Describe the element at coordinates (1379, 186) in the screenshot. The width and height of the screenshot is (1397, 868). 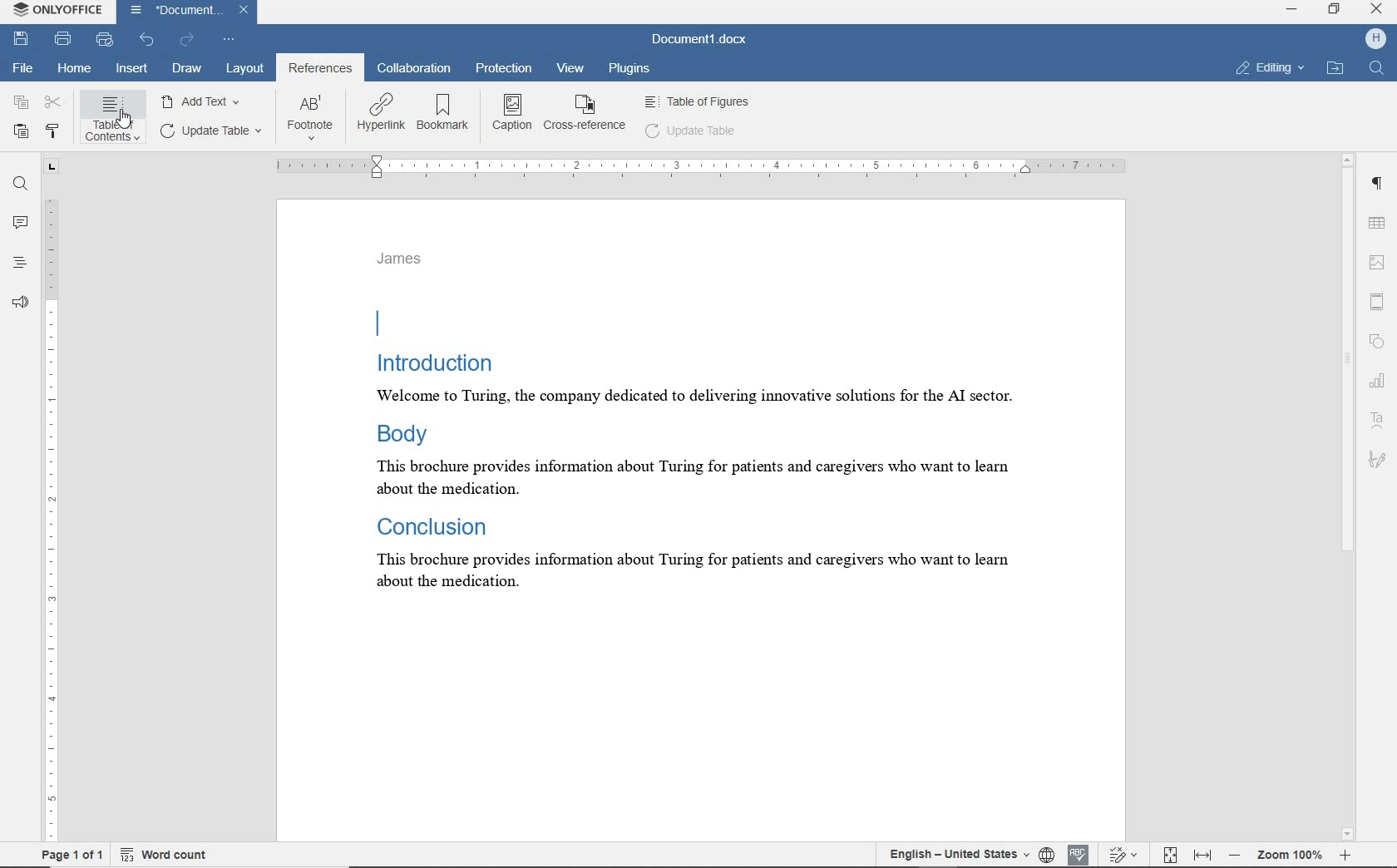
I see `paragraph settings` at that location.